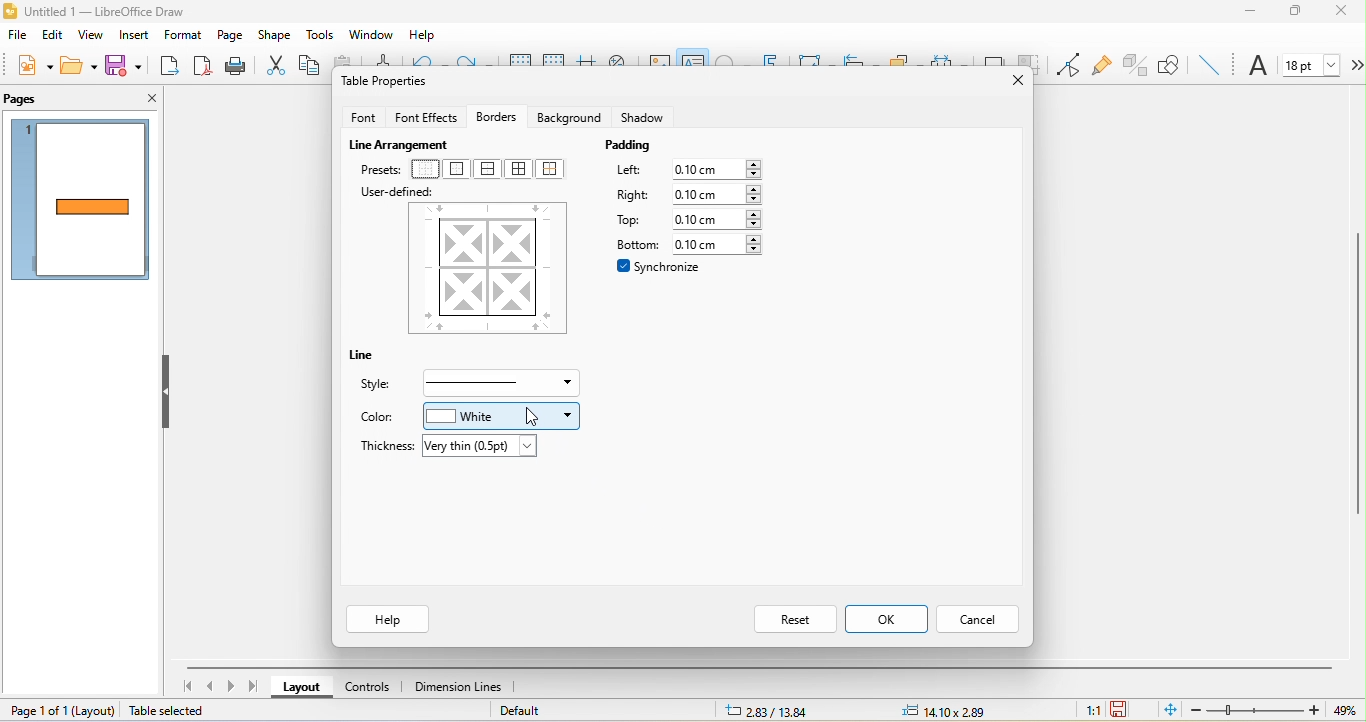 This screenshot has height=722, width=1366. What do you see at coordinates (382, 444) in the screenshot?
I see `thickness` at bounding box center [382, 444].